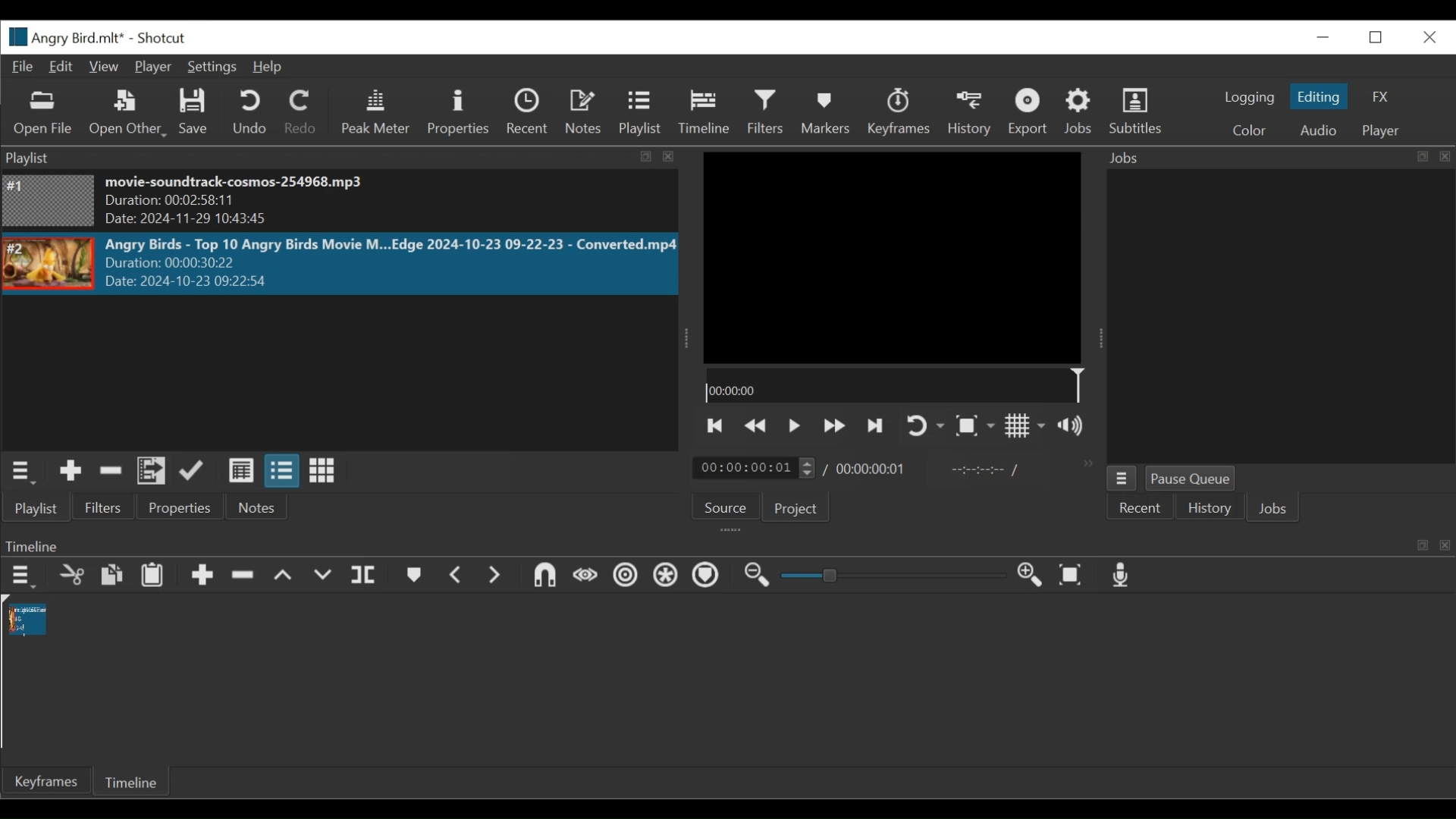 This screenshot has width=1456, height=819. I want to click on Skip to the next point, so click(877, 426).